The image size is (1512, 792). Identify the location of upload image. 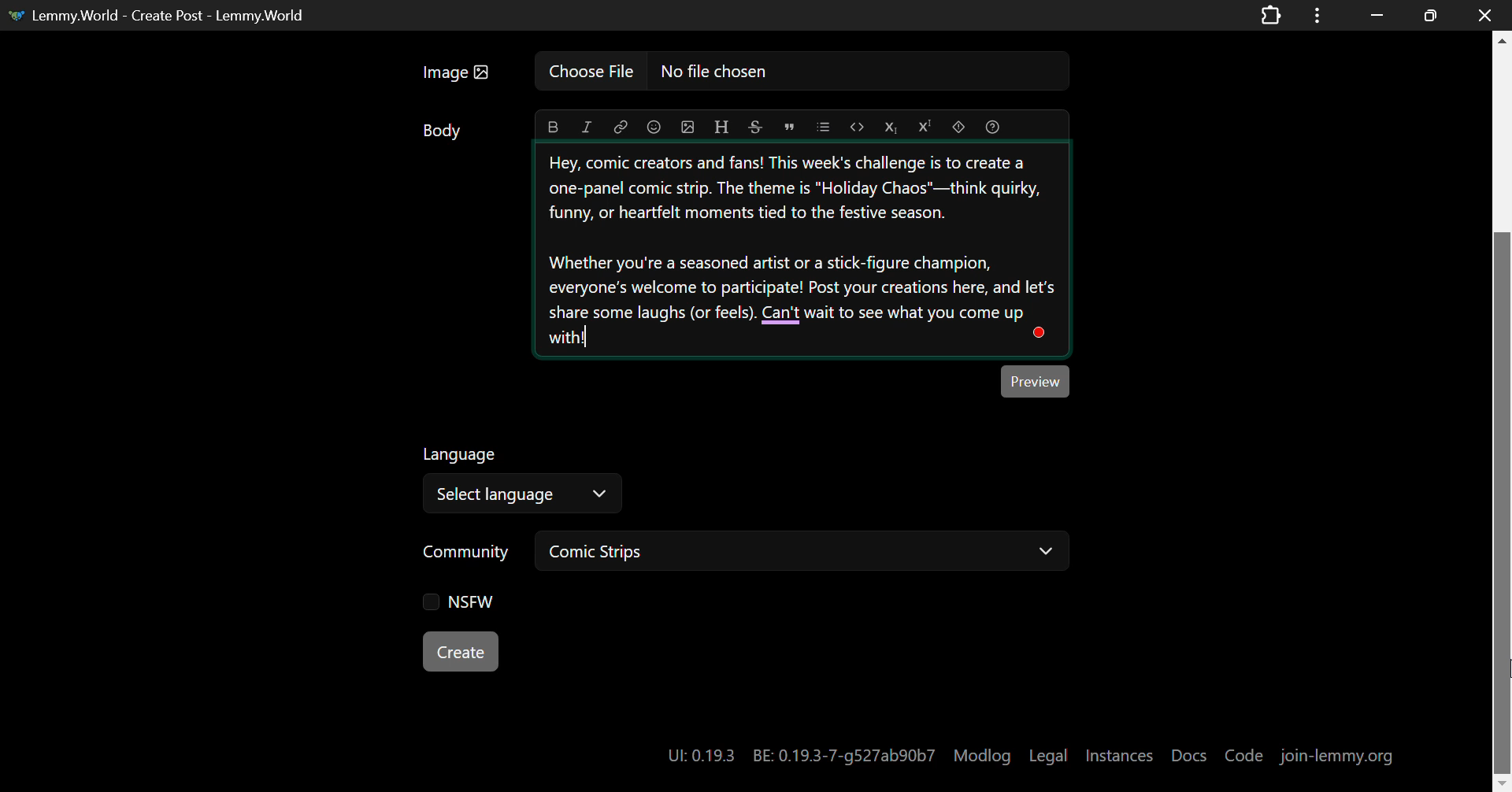
(688, 128).